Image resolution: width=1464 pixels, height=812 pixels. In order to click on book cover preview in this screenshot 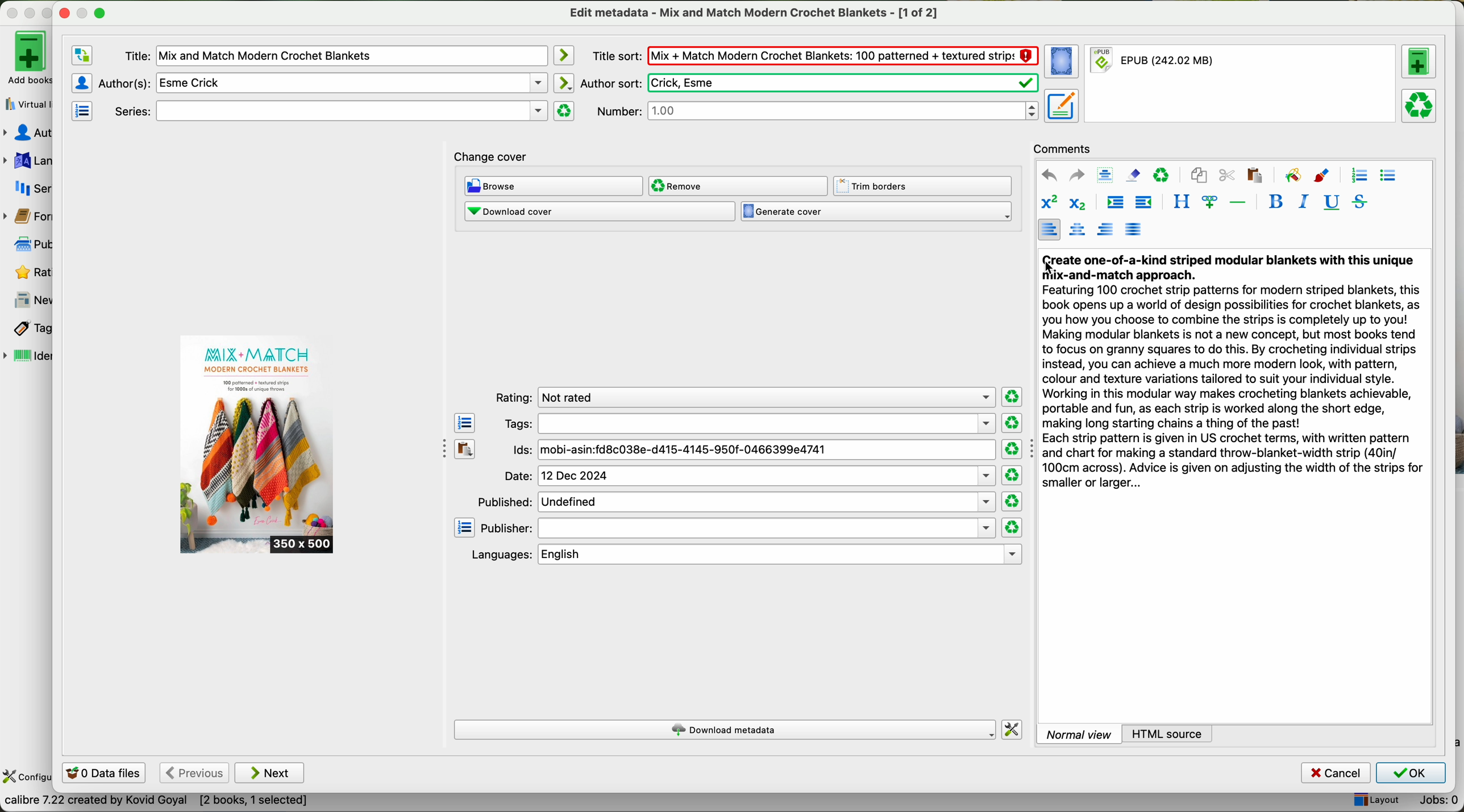, I will do `click(258, 445)`.